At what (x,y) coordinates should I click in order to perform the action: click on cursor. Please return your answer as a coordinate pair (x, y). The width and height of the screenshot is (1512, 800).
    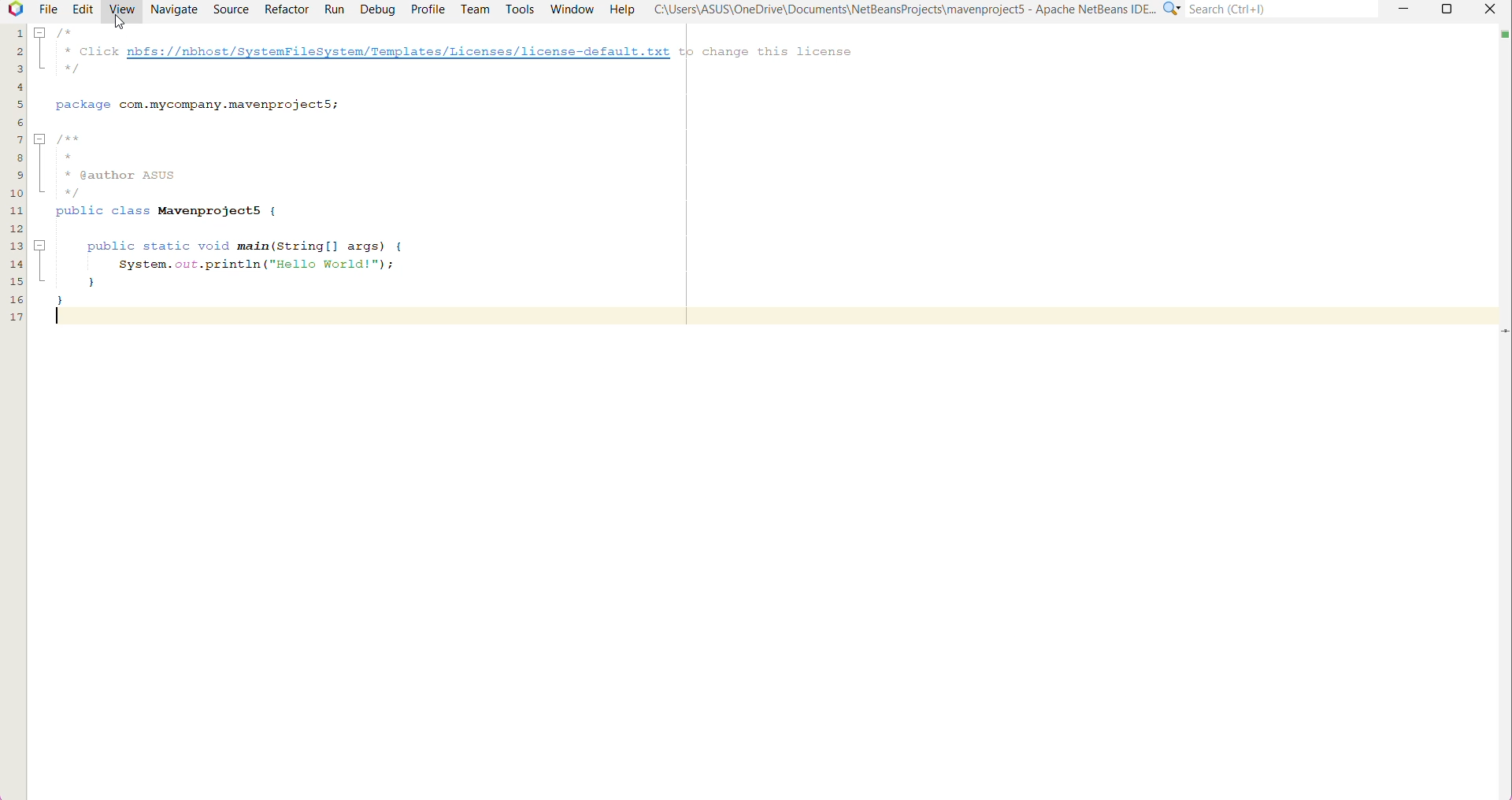
    Looking at the image, I should click on (124, 25).